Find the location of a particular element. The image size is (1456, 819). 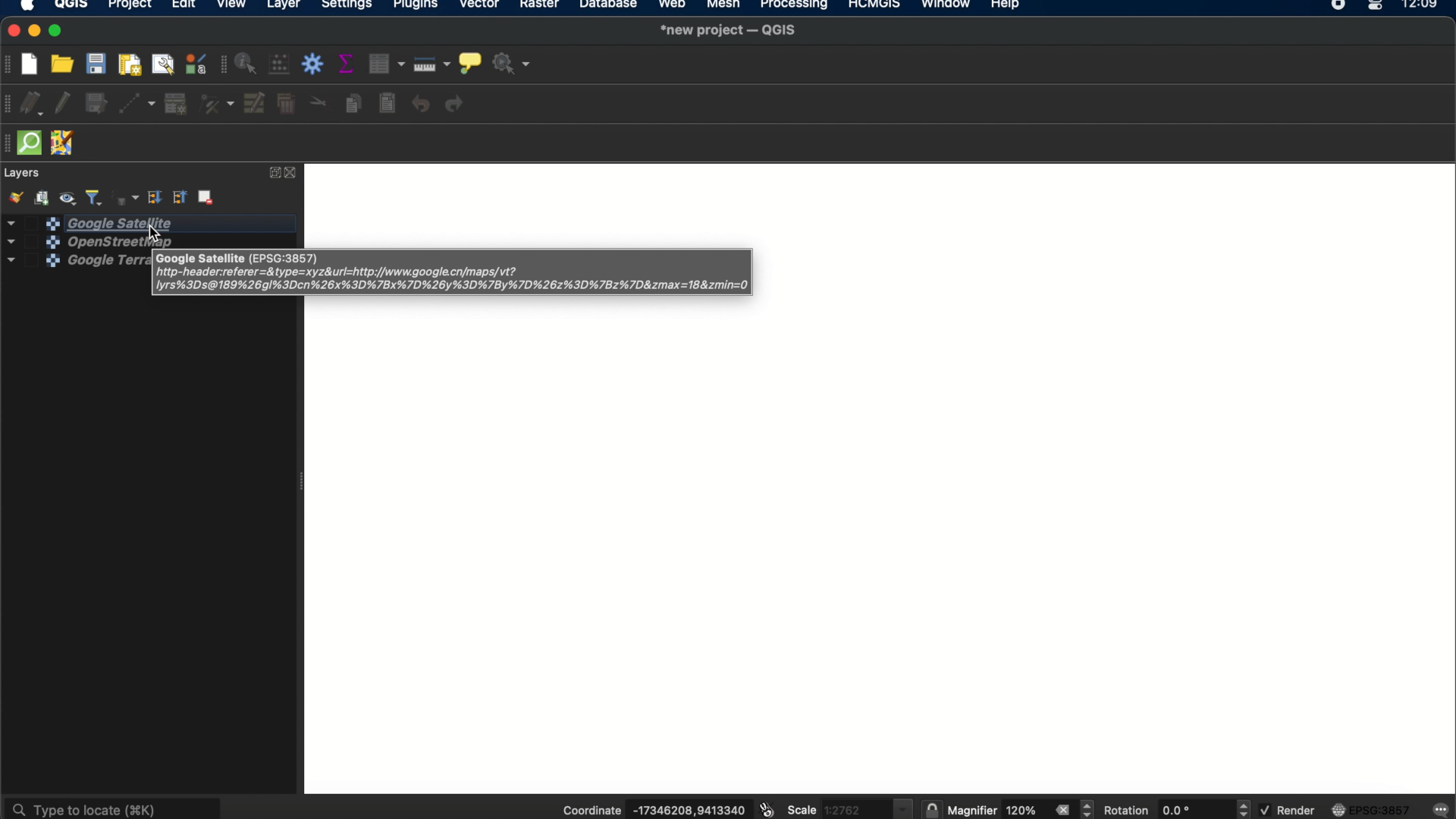

toolbox is located at coordinates (315, 64).